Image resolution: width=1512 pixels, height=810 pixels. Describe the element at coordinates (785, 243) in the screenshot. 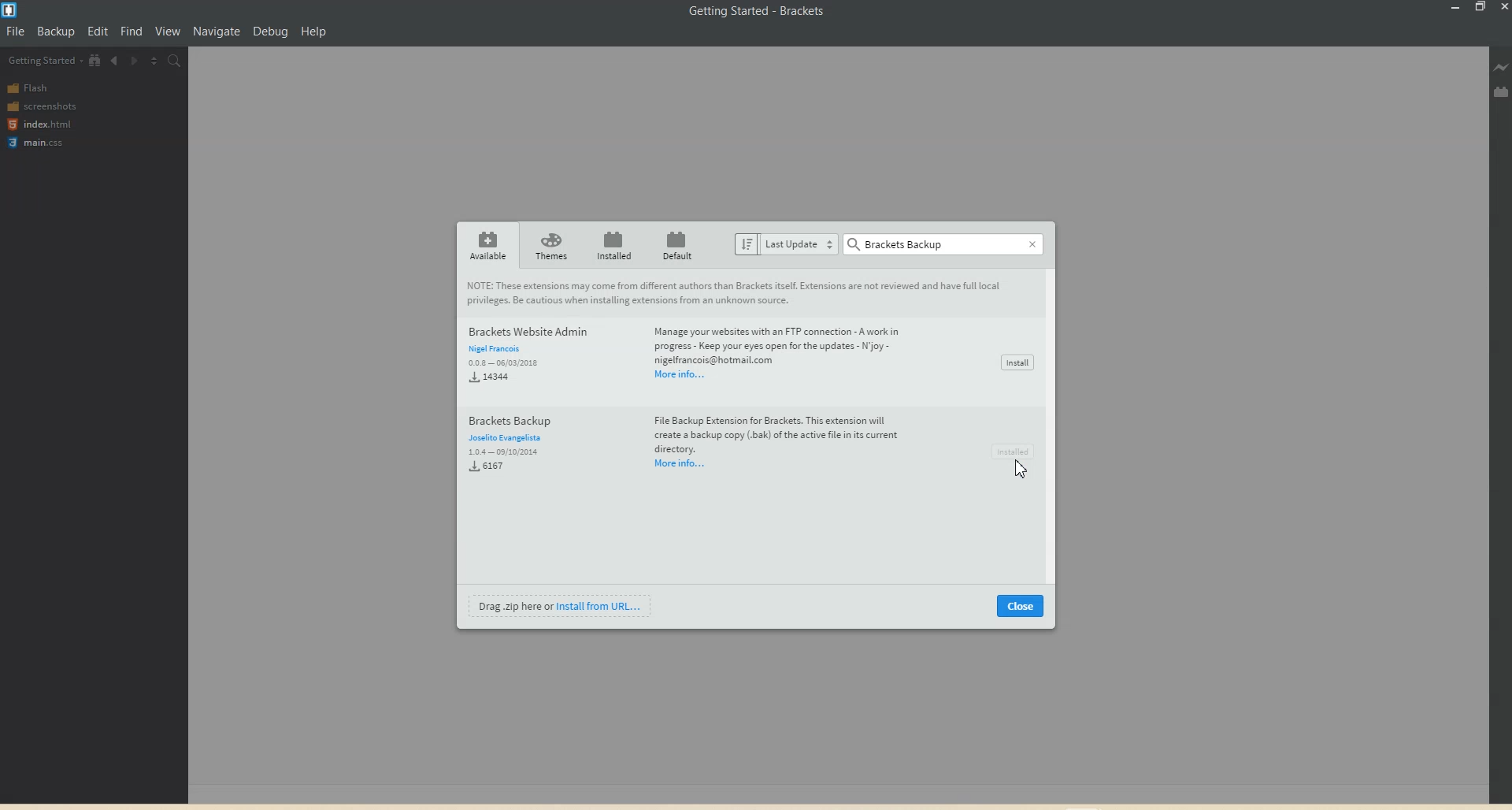

I see `Last update` at that location.